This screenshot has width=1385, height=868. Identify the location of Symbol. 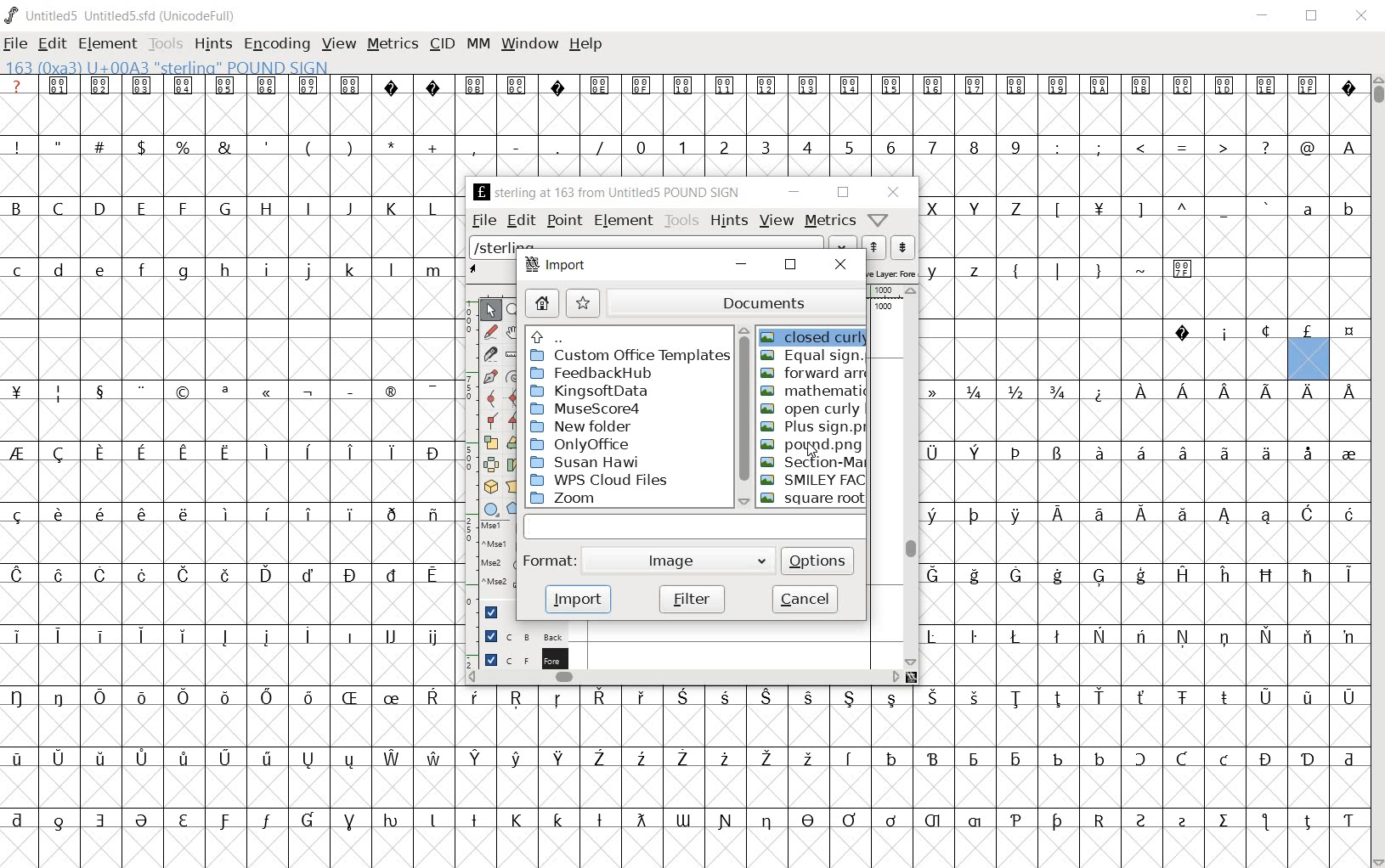
(975, 821).